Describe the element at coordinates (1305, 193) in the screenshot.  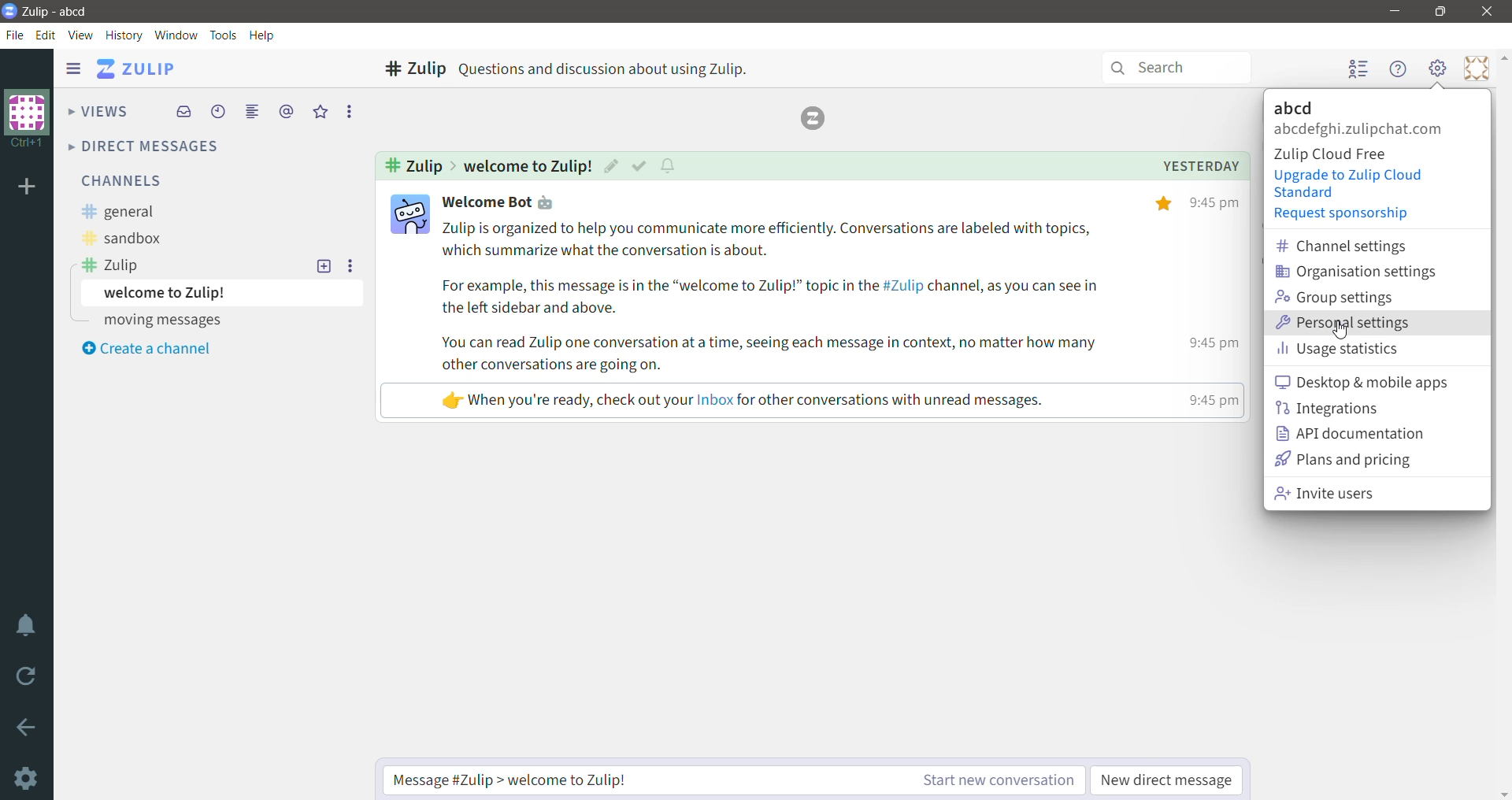
I see `standard` at that location.